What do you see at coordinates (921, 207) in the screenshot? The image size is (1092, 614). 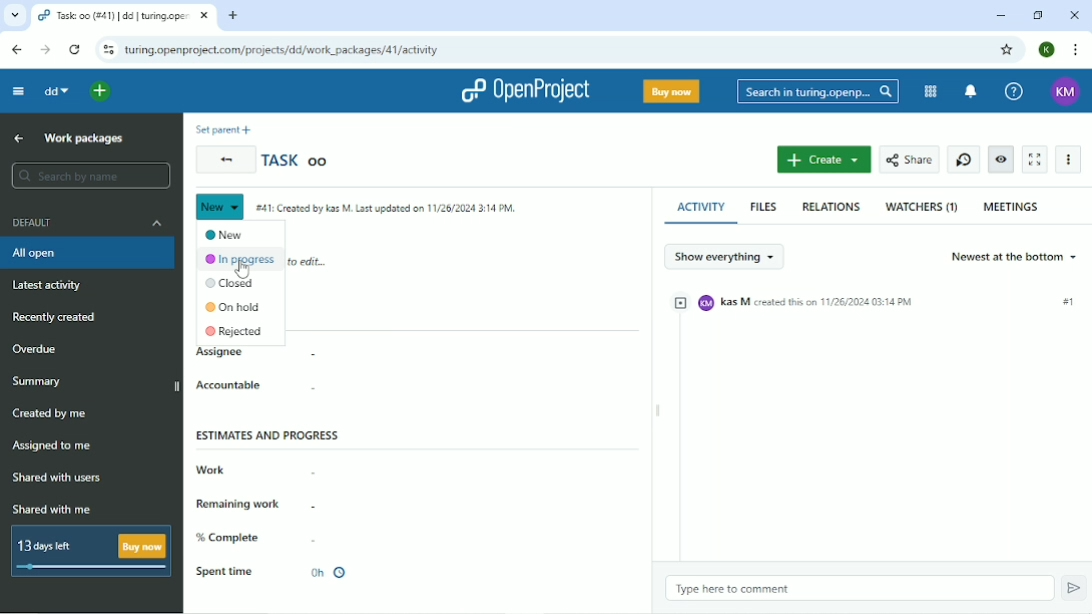 I see `WATCHERS (1)` at bounding box center [921, 207].